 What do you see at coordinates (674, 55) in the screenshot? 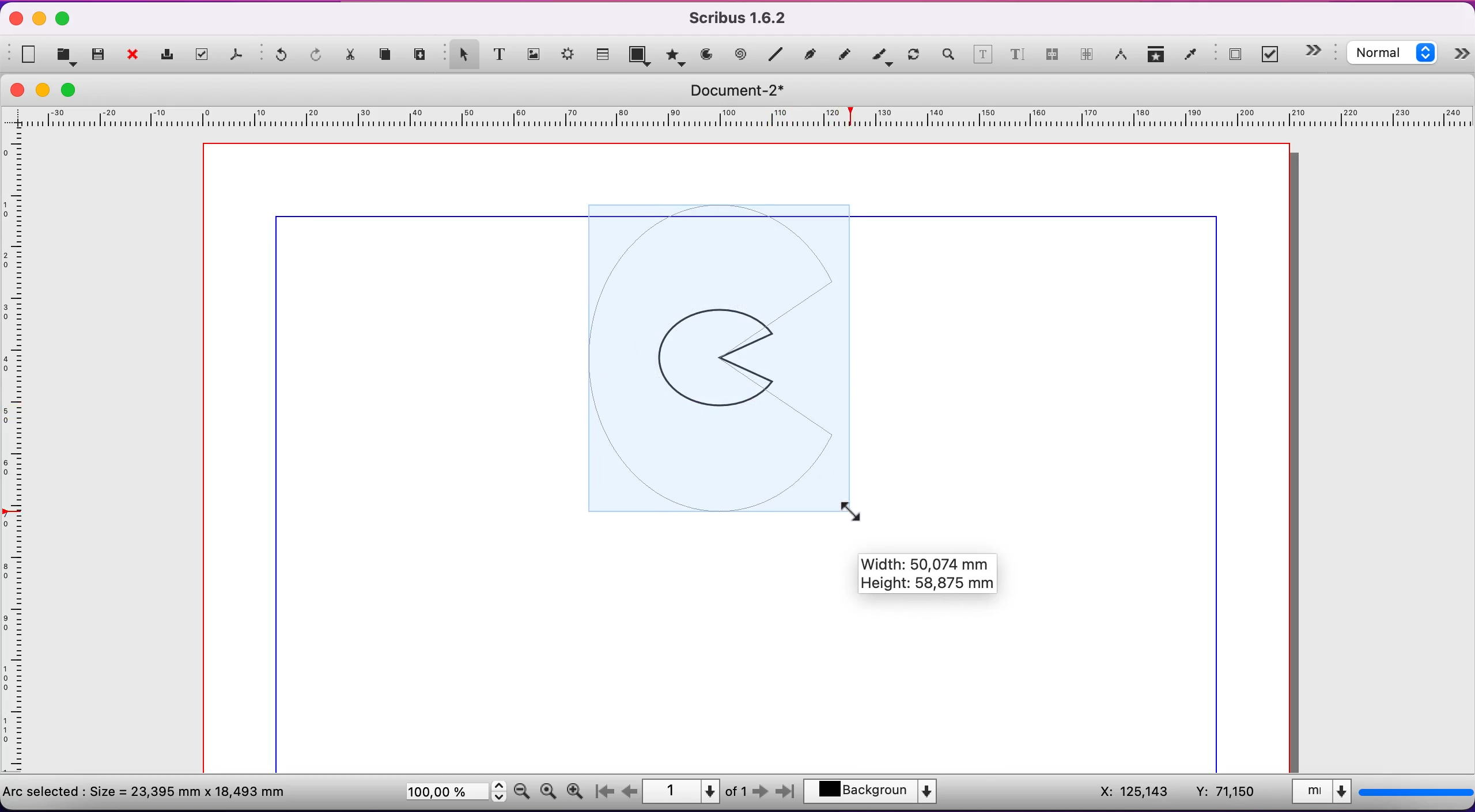
I see `polygon` at bounding box center [674, 55].